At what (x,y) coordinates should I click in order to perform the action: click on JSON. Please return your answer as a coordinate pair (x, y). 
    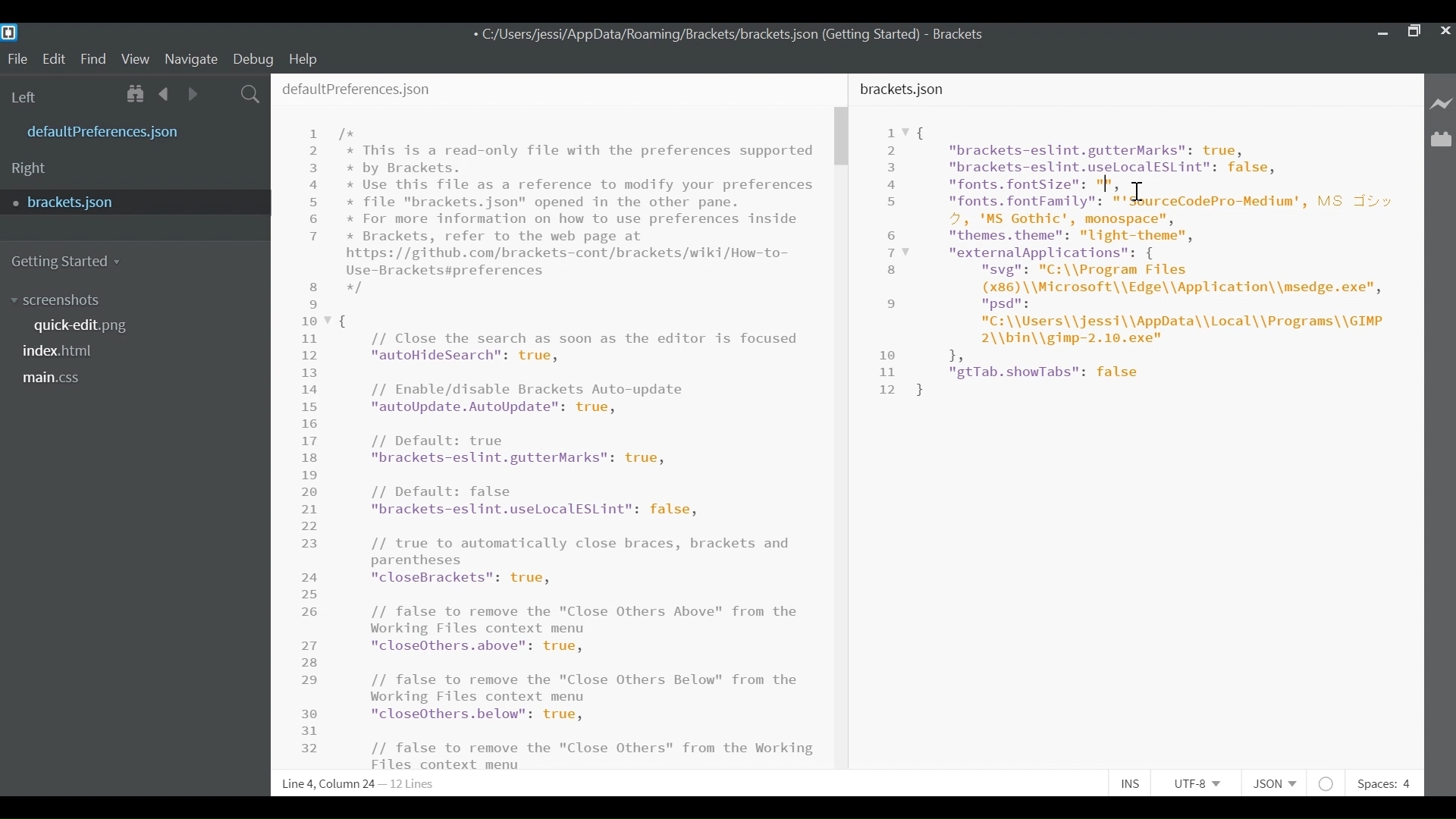
    Looking at the image, I should click on (1279, 783).